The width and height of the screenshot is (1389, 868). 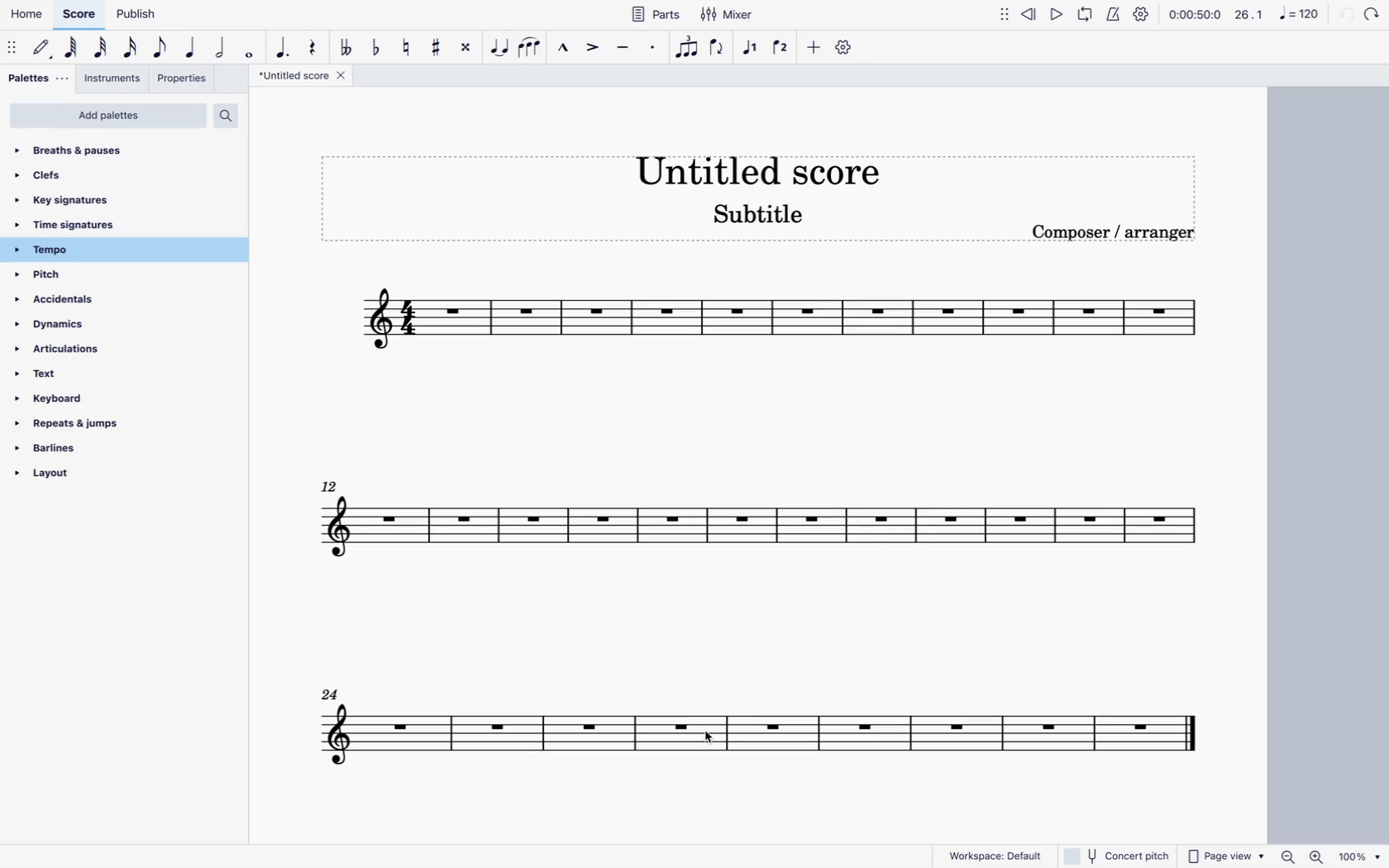 What do you see at coordinates (1277, 15) in the screenshot?
I see `scale` at bounding box center [1277, 15].